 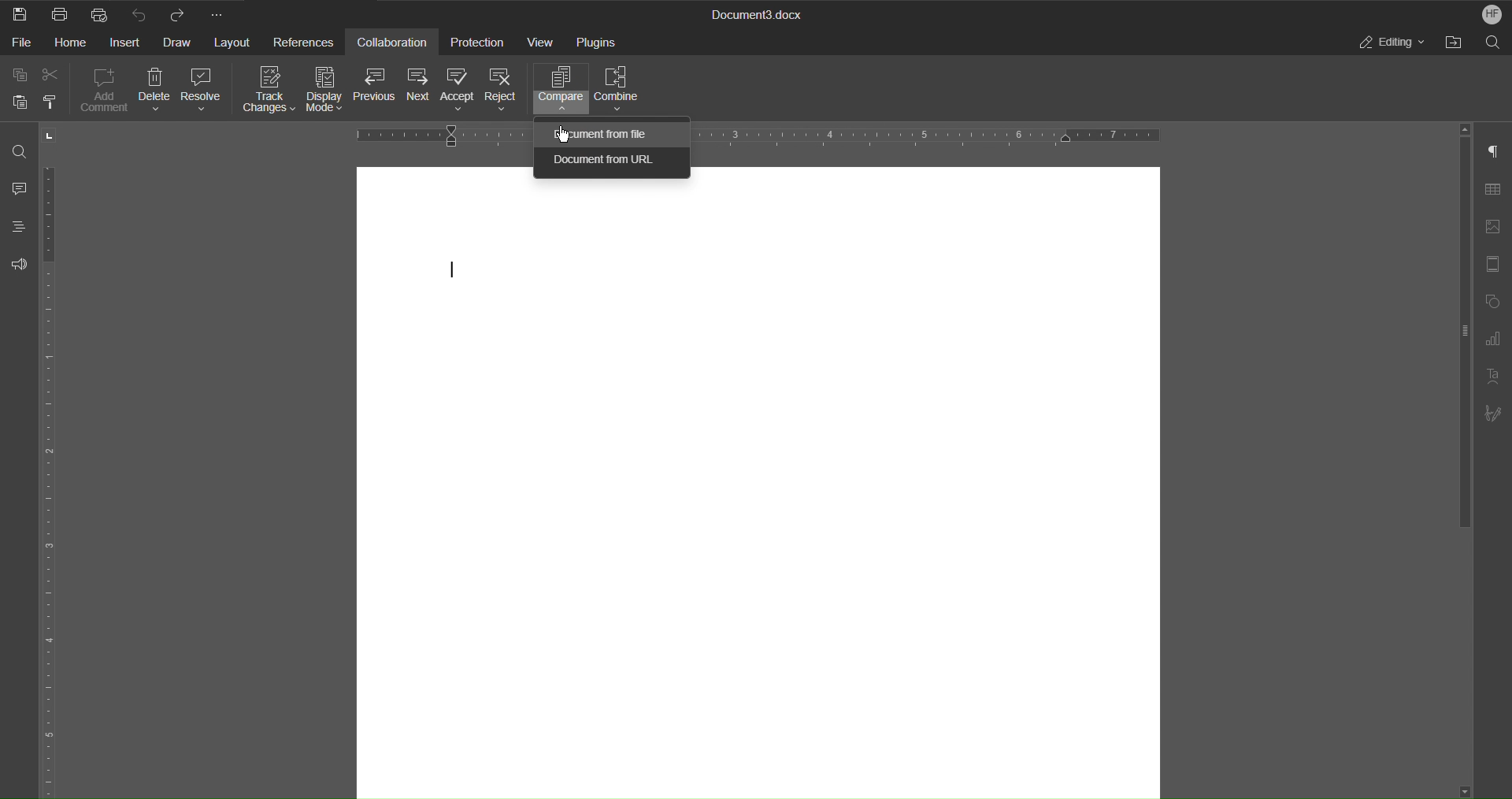 I want to click on Text Art, so click(x=1494, y=376).